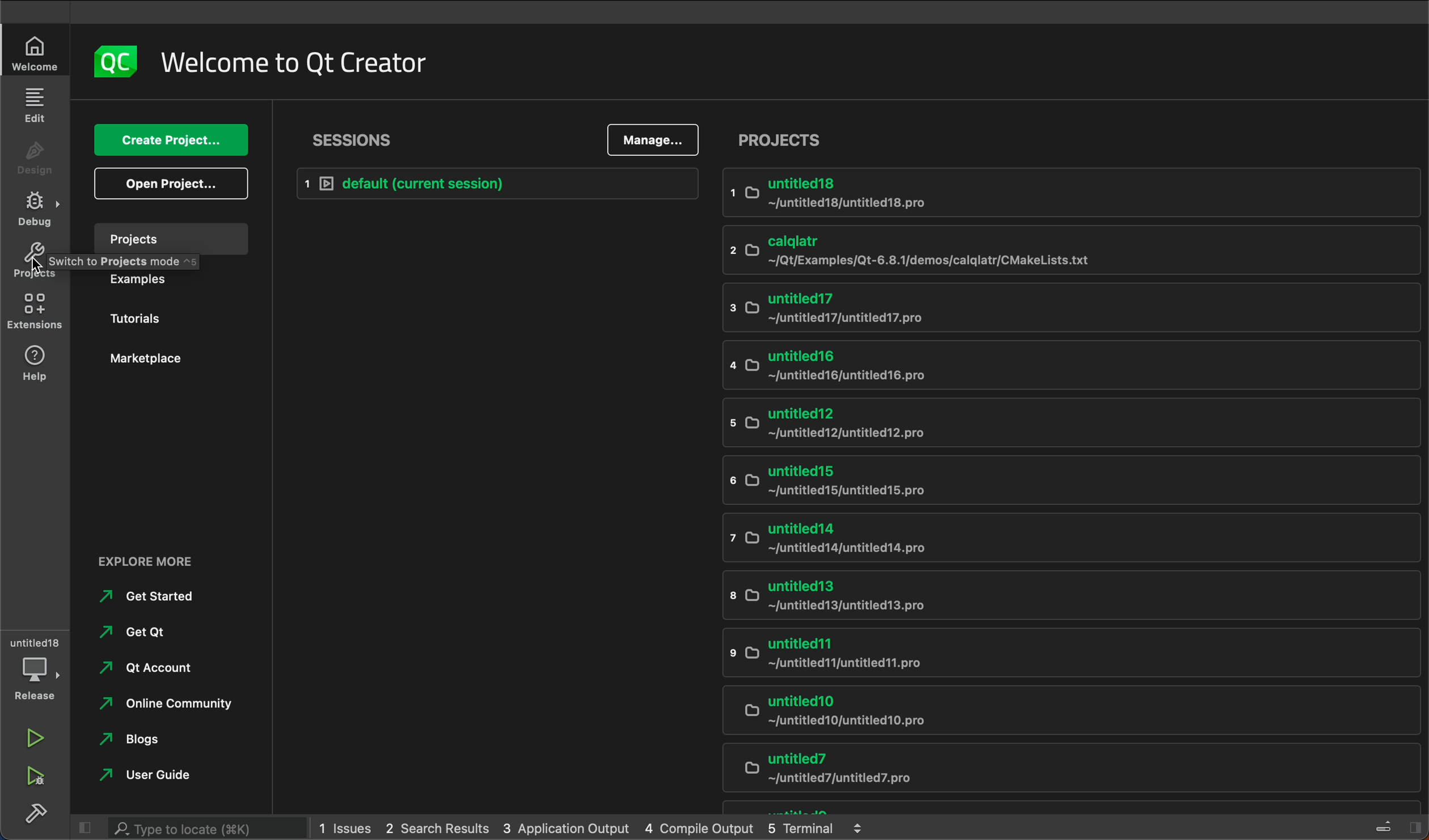  I want to click on untitled10, so click(1052, 714).